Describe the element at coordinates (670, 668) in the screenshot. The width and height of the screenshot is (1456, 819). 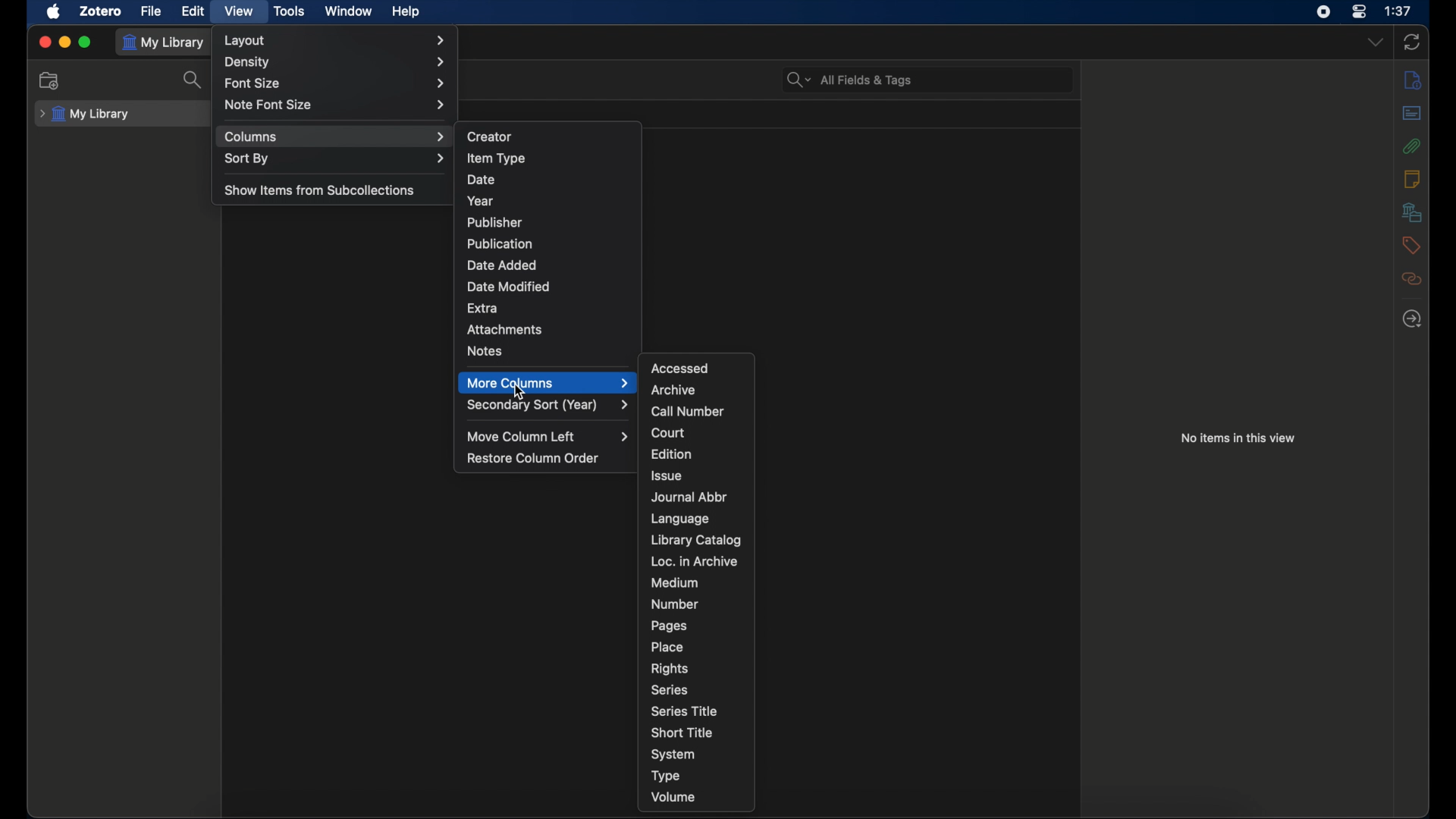
I see `rights` at that location.